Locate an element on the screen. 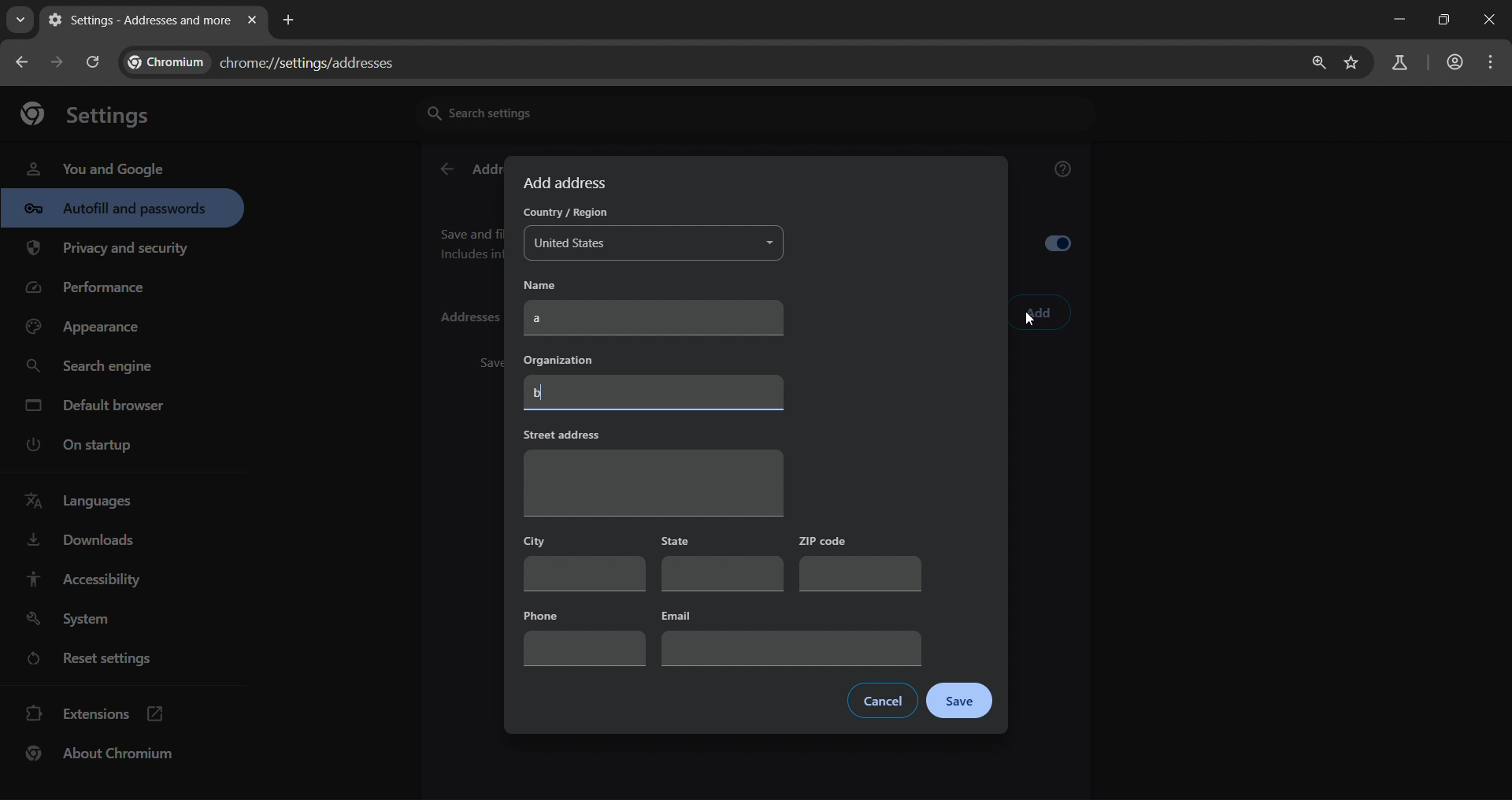  appearance is located at coordinates (88, 328).